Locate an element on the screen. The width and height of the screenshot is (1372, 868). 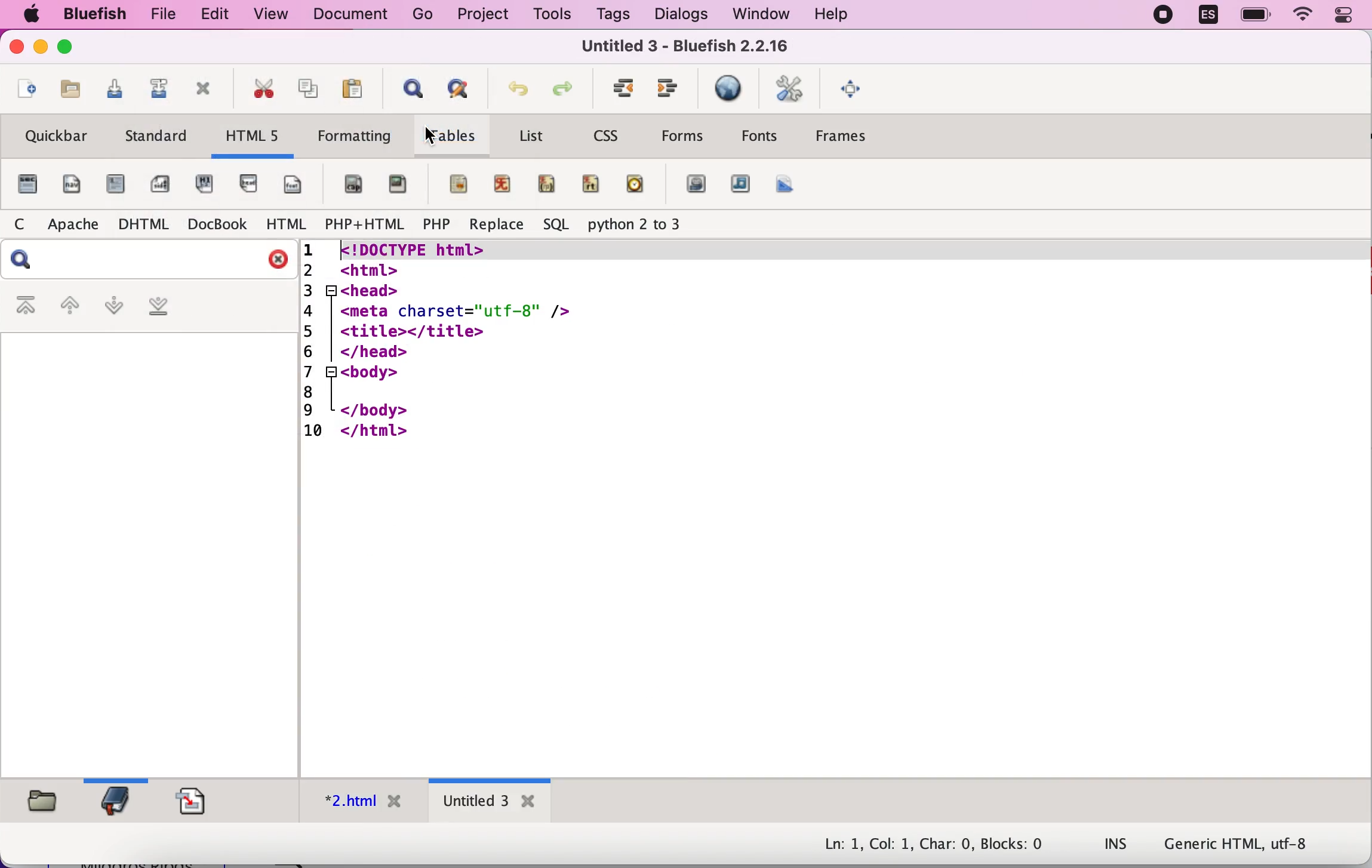
hgroup is located at coordinates (205, 184).